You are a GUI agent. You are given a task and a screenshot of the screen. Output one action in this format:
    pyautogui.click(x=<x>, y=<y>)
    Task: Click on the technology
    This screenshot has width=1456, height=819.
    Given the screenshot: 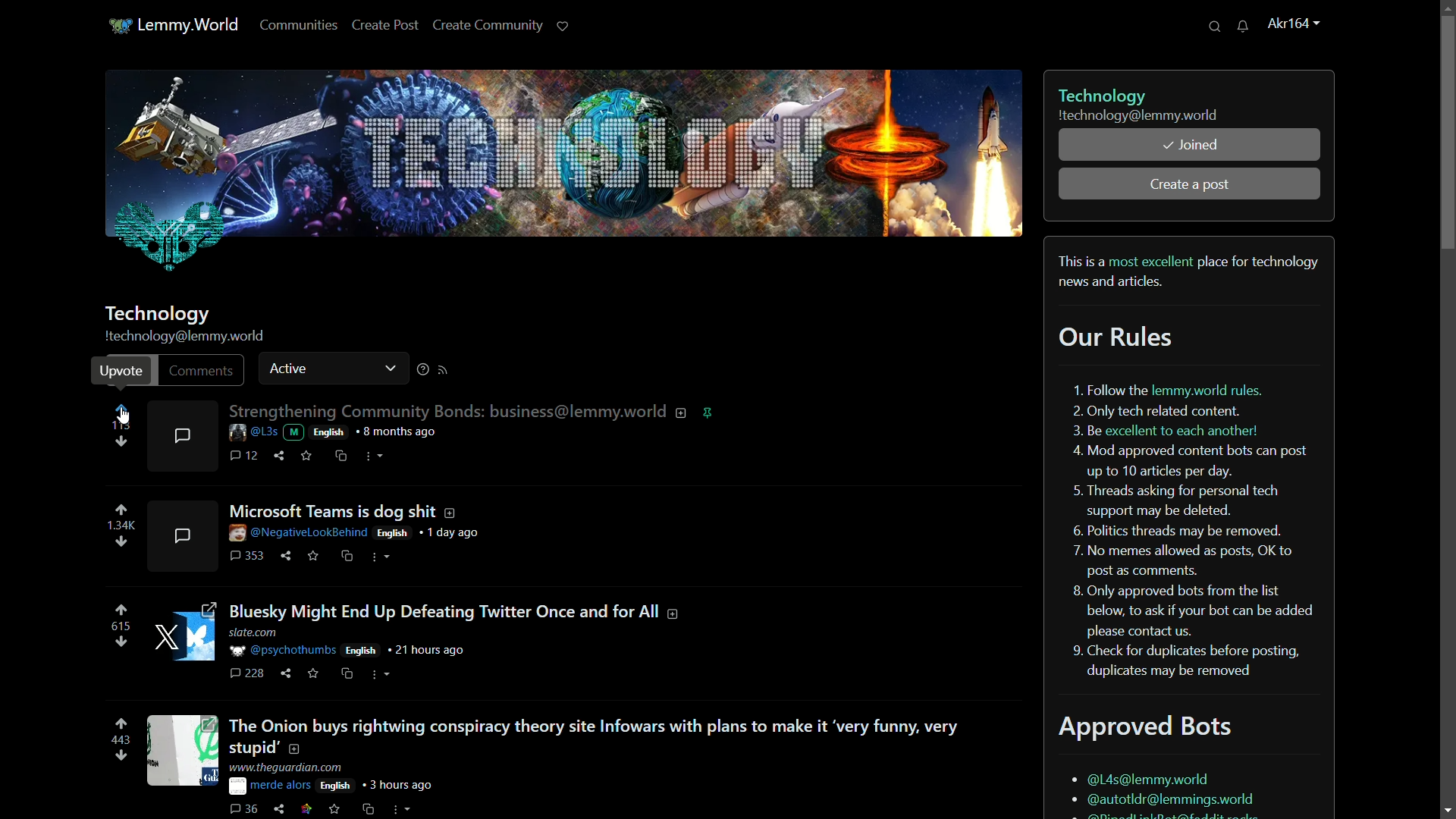 What is the action you would take?
    pyautogui.click(x=1103, y=97)
    